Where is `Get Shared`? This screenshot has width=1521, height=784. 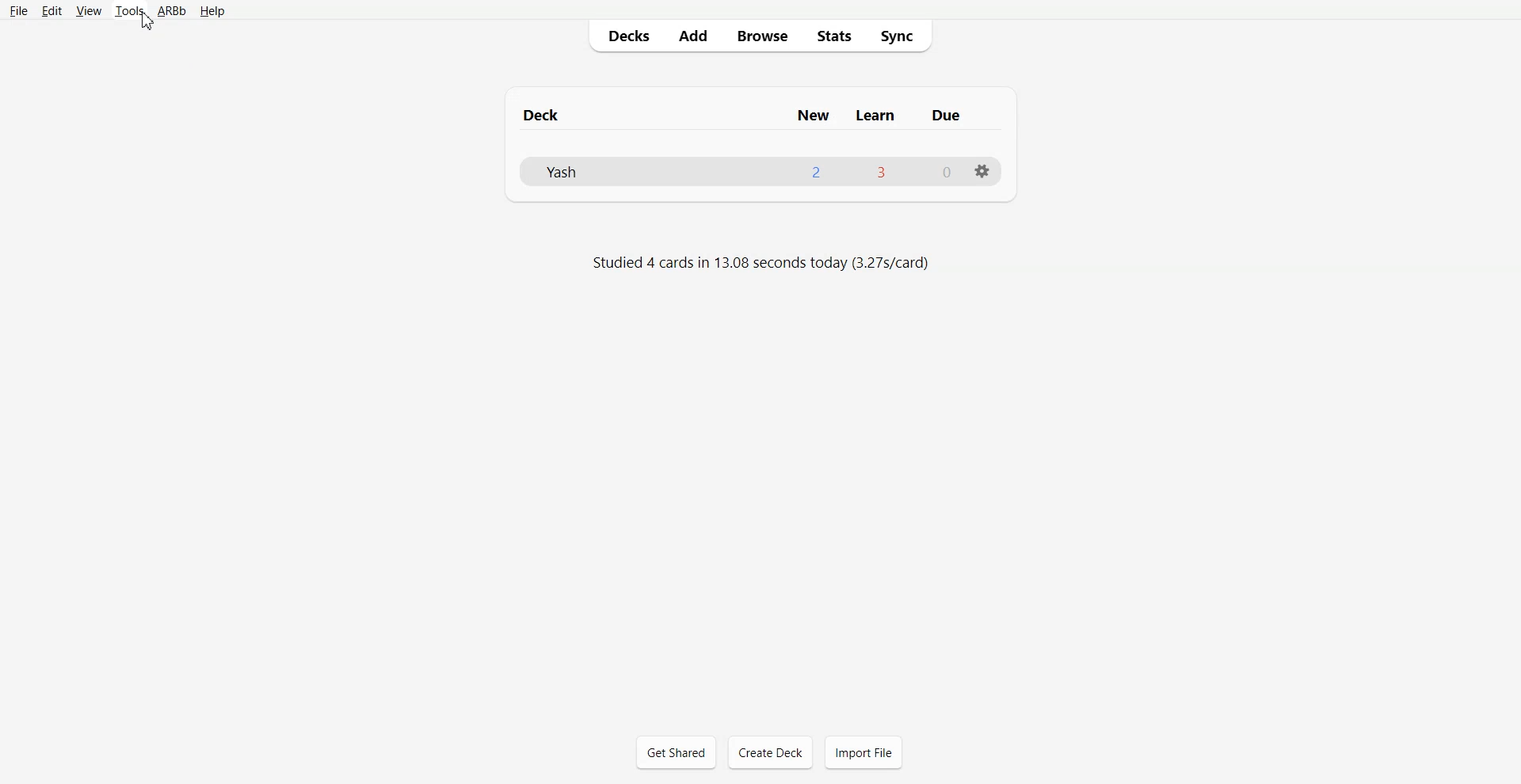
Get Shared is located at coordinates (676, 752).